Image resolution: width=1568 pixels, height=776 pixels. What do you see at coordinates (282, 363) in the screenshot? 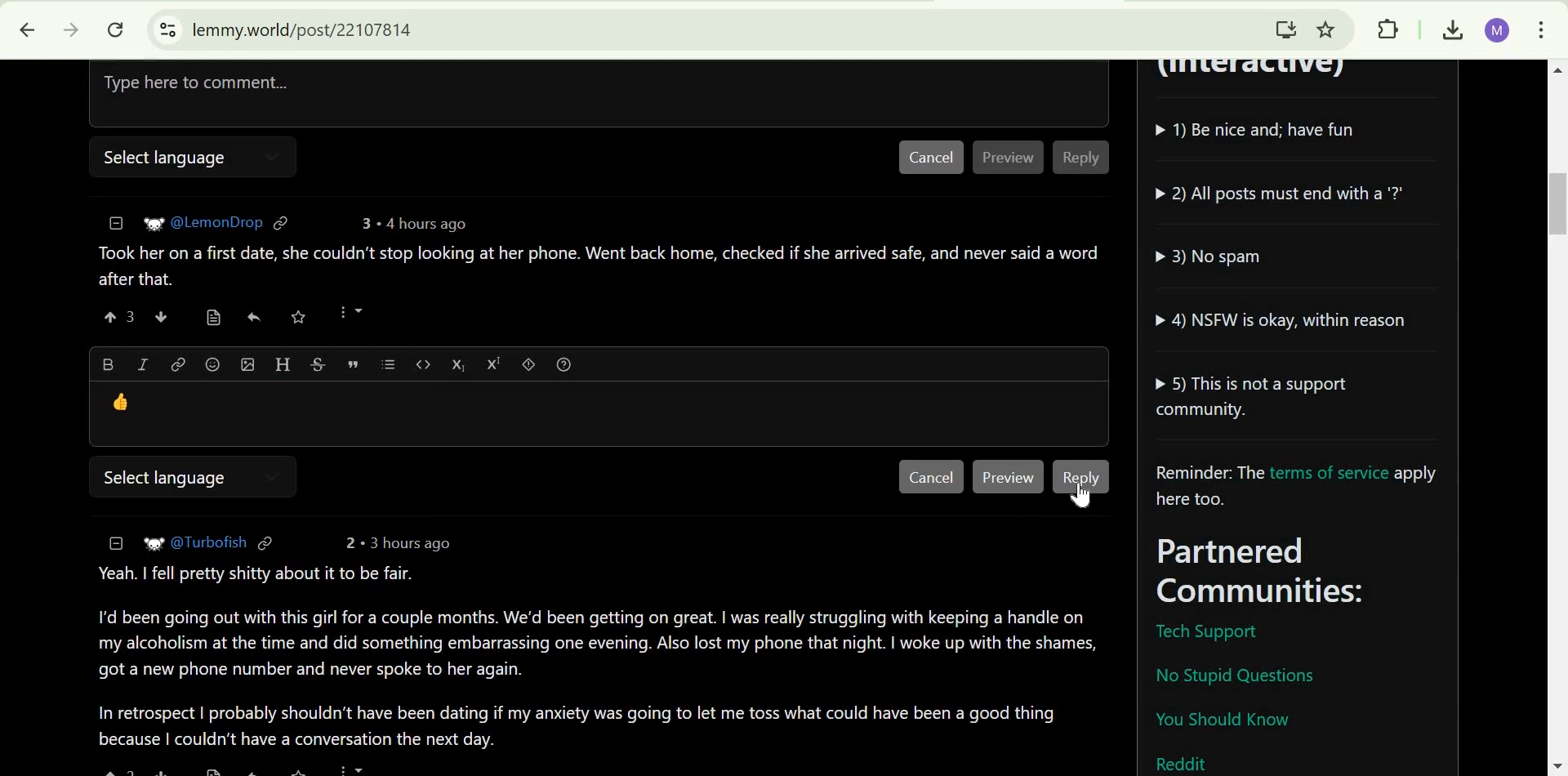
I see `Header` at bounding box center [282, 363].